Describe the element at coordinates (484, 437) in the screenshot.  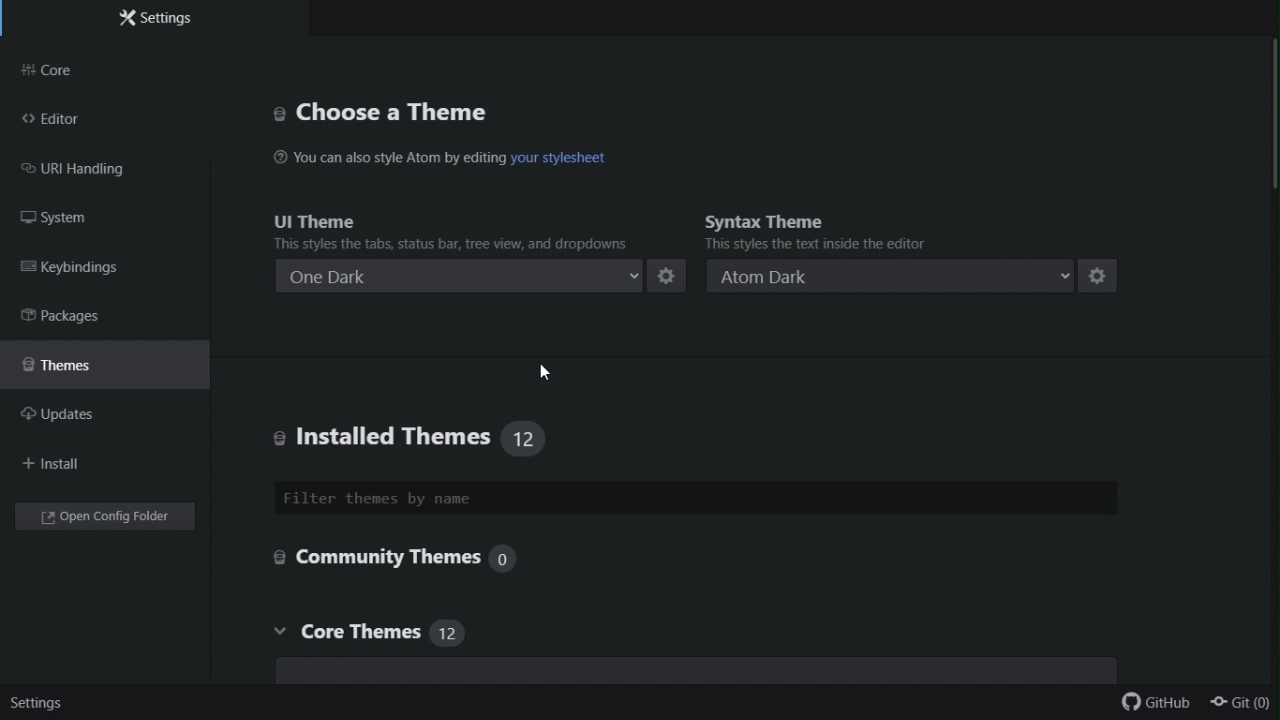
I see `Installed themes` at that location.